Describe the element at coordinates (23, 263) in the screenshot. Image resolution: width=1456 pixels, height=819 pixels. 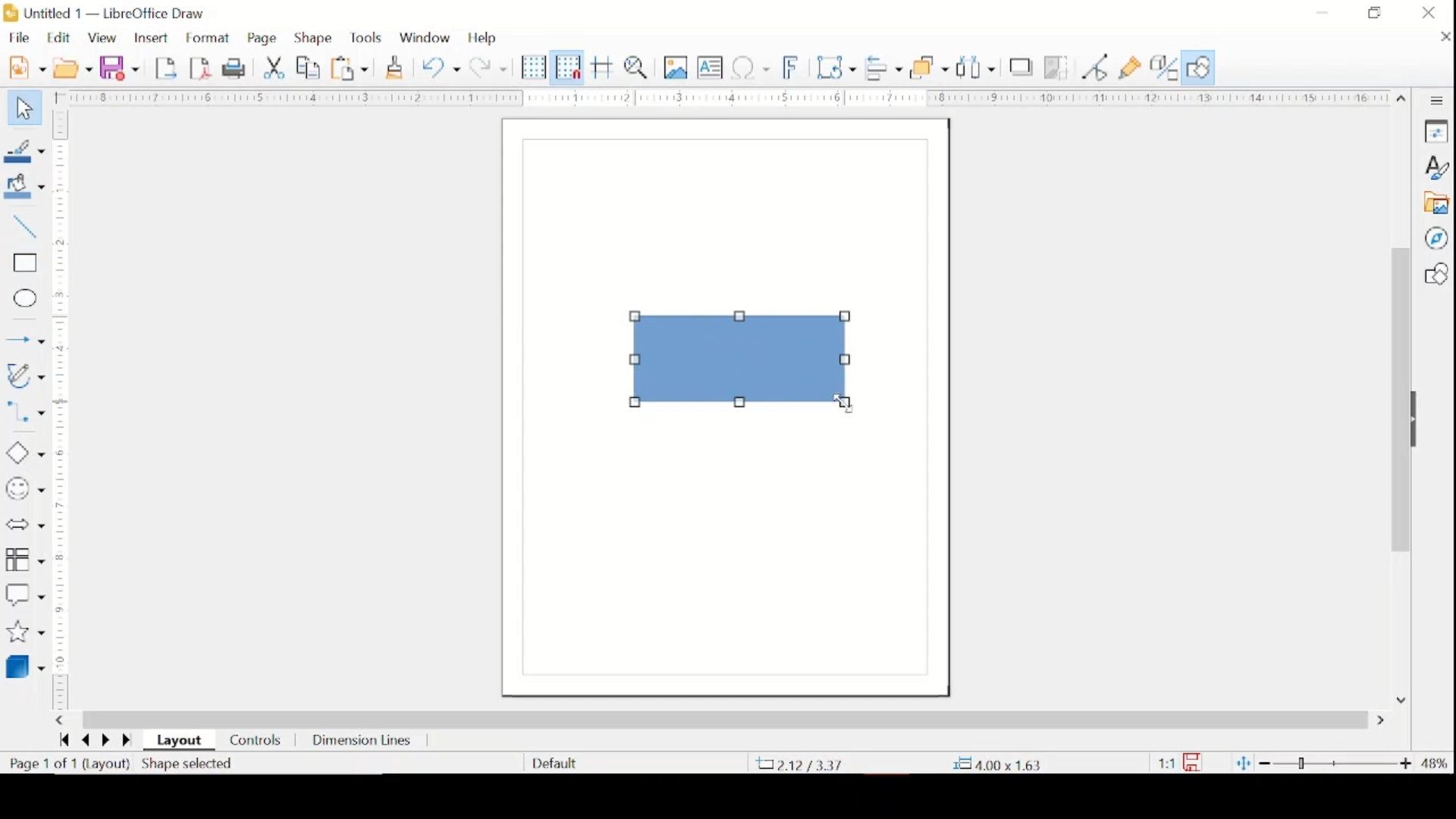
I see `insert rectangle` at that location.